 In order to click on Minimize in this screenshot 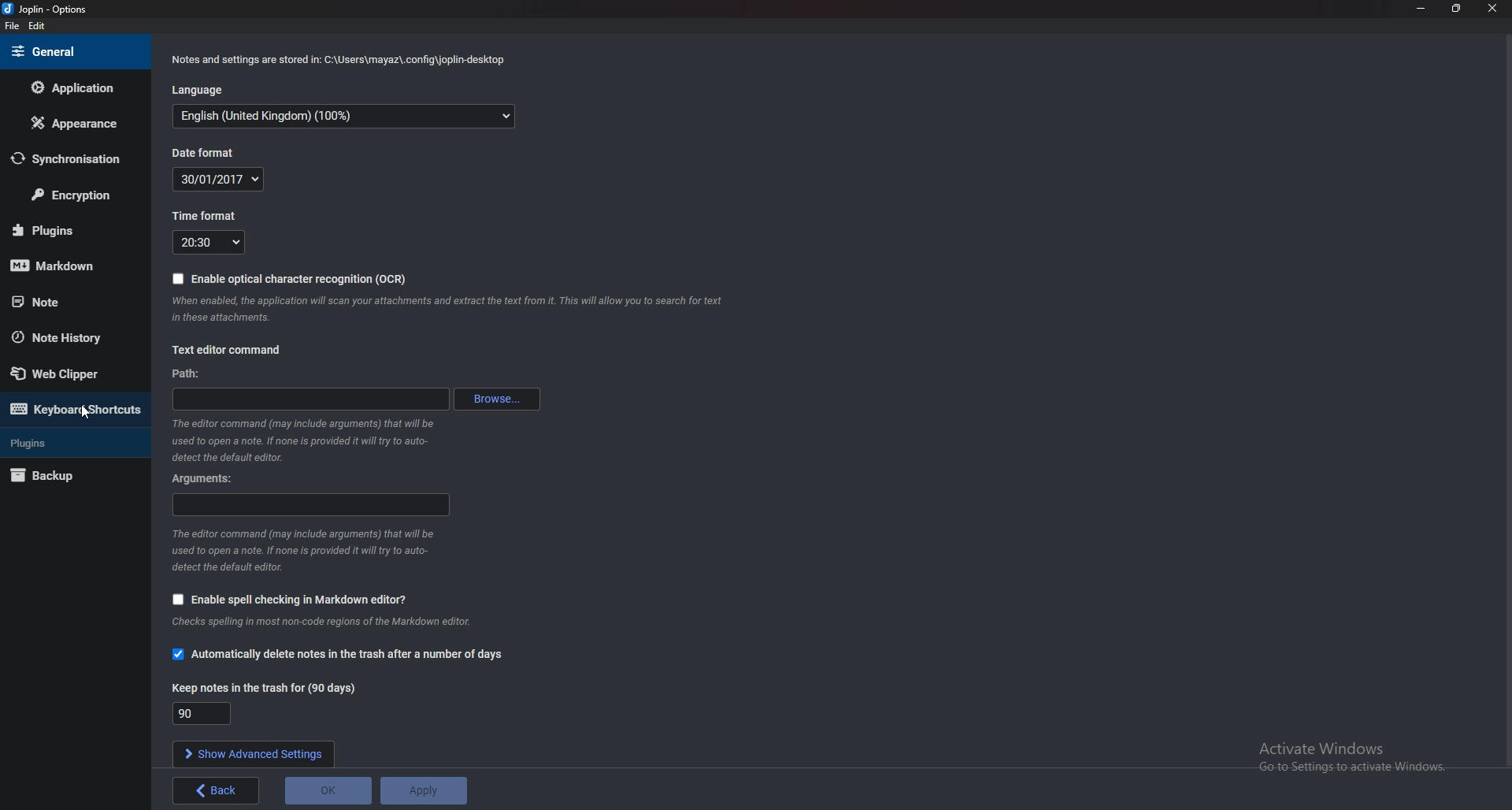, I will do `click(1421, 10)`.